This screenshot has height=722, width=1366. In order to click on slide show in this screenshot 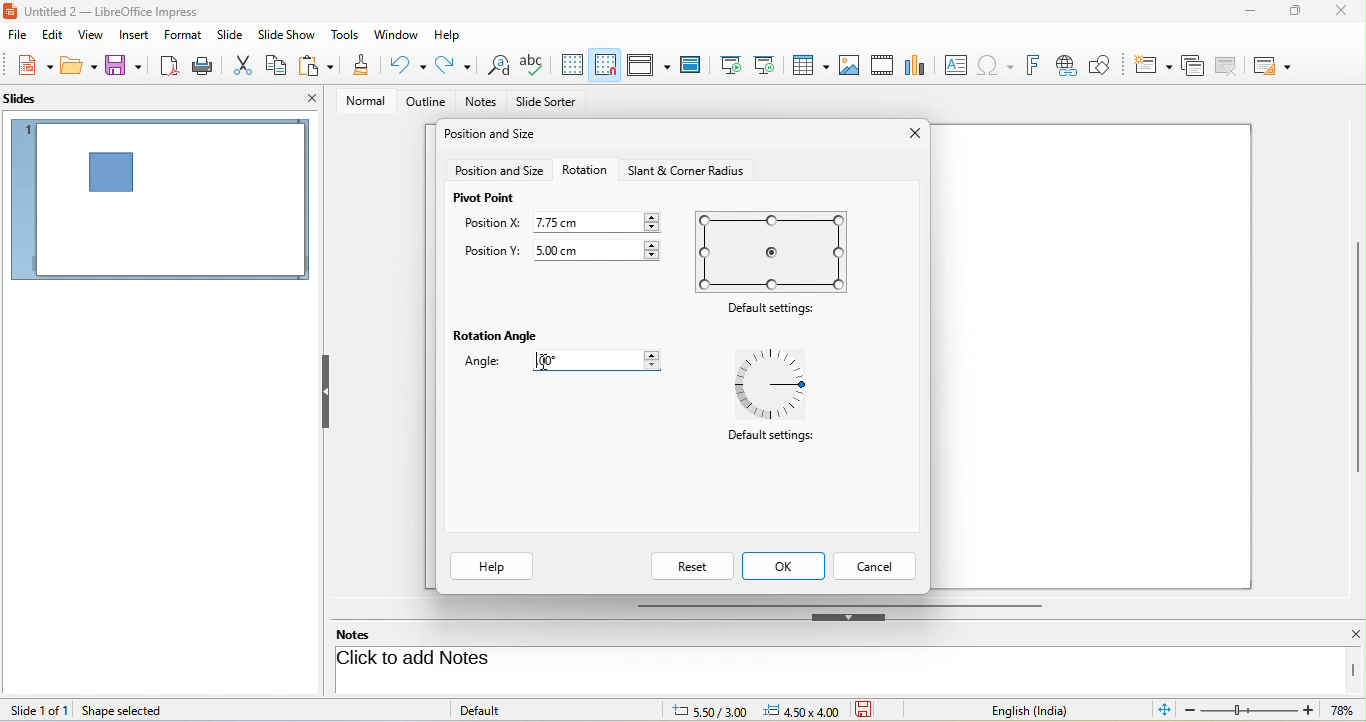, I will do `click(290, 35)`.